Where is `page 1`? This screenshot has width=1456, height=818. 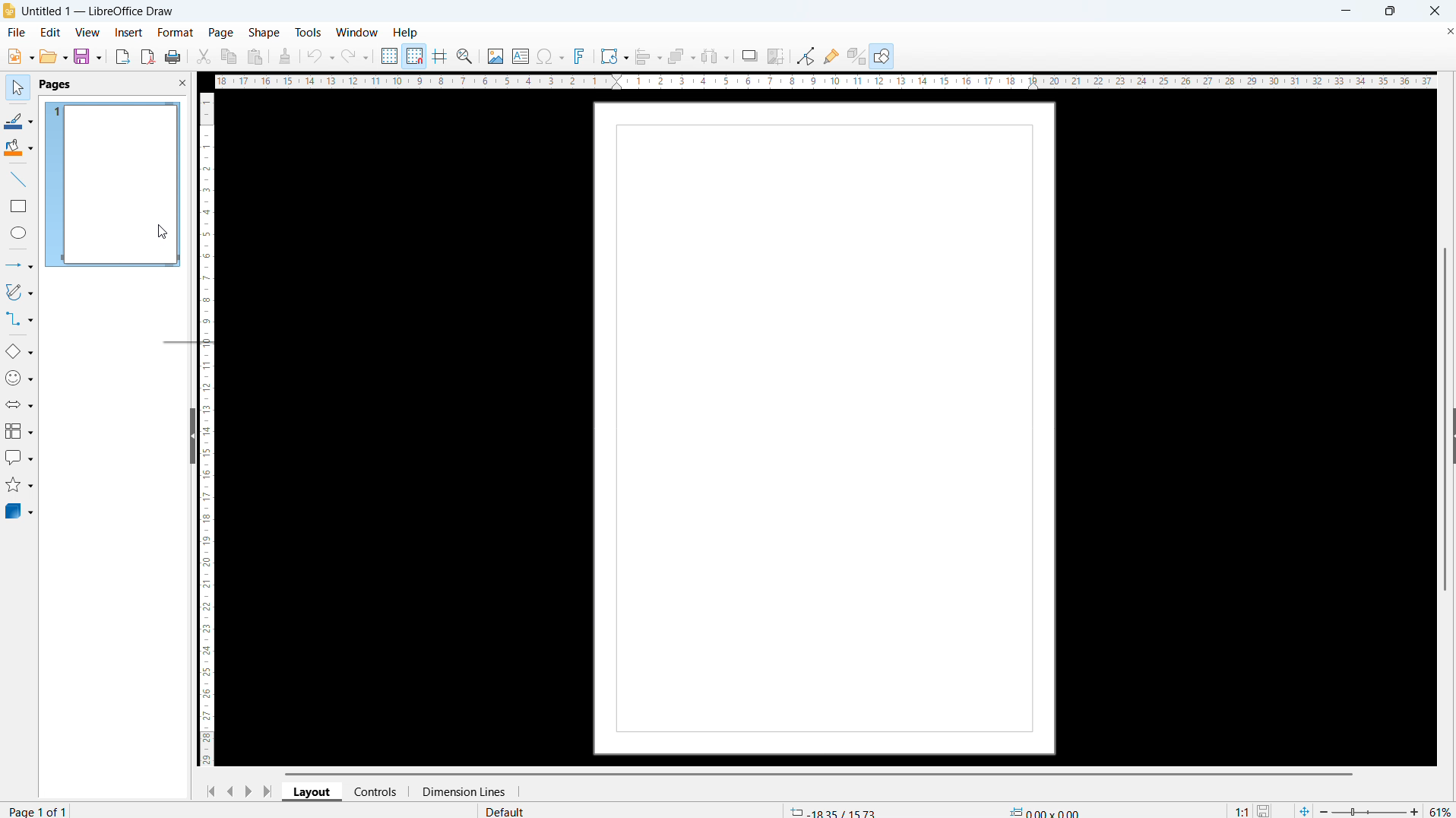 page 1 is located at coordinates (112, 185).